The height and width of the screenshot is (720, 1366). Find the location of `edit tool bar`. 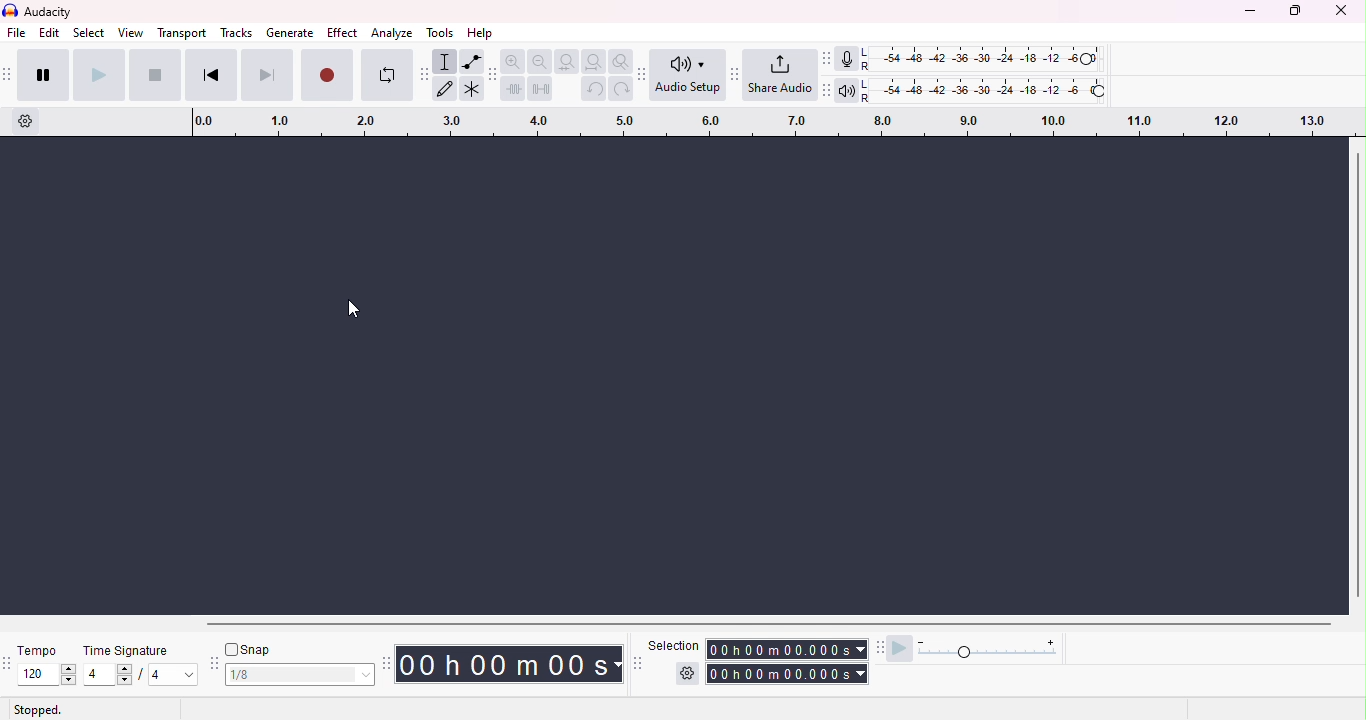

edit tool bar is located at coordinates (493, 73).